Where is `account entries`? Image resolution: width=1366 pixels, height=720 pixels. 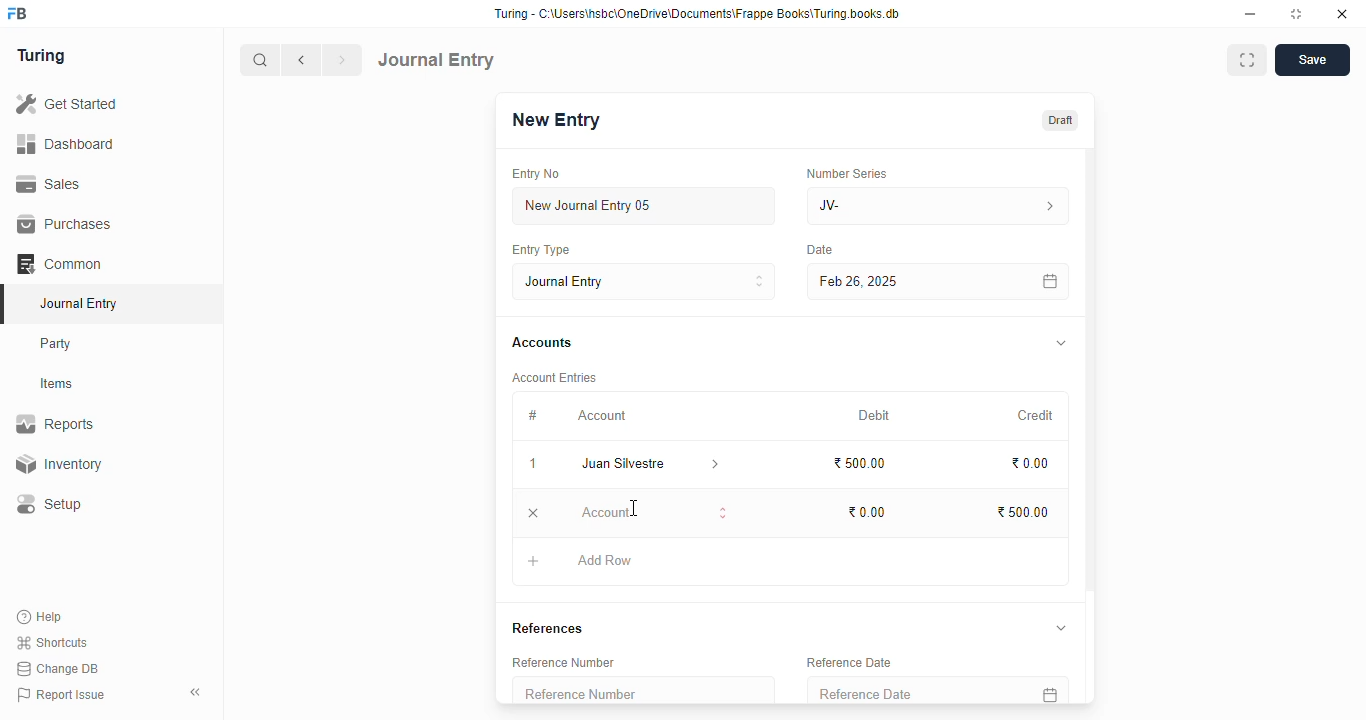
account entries is located at coordinates (554, 377).